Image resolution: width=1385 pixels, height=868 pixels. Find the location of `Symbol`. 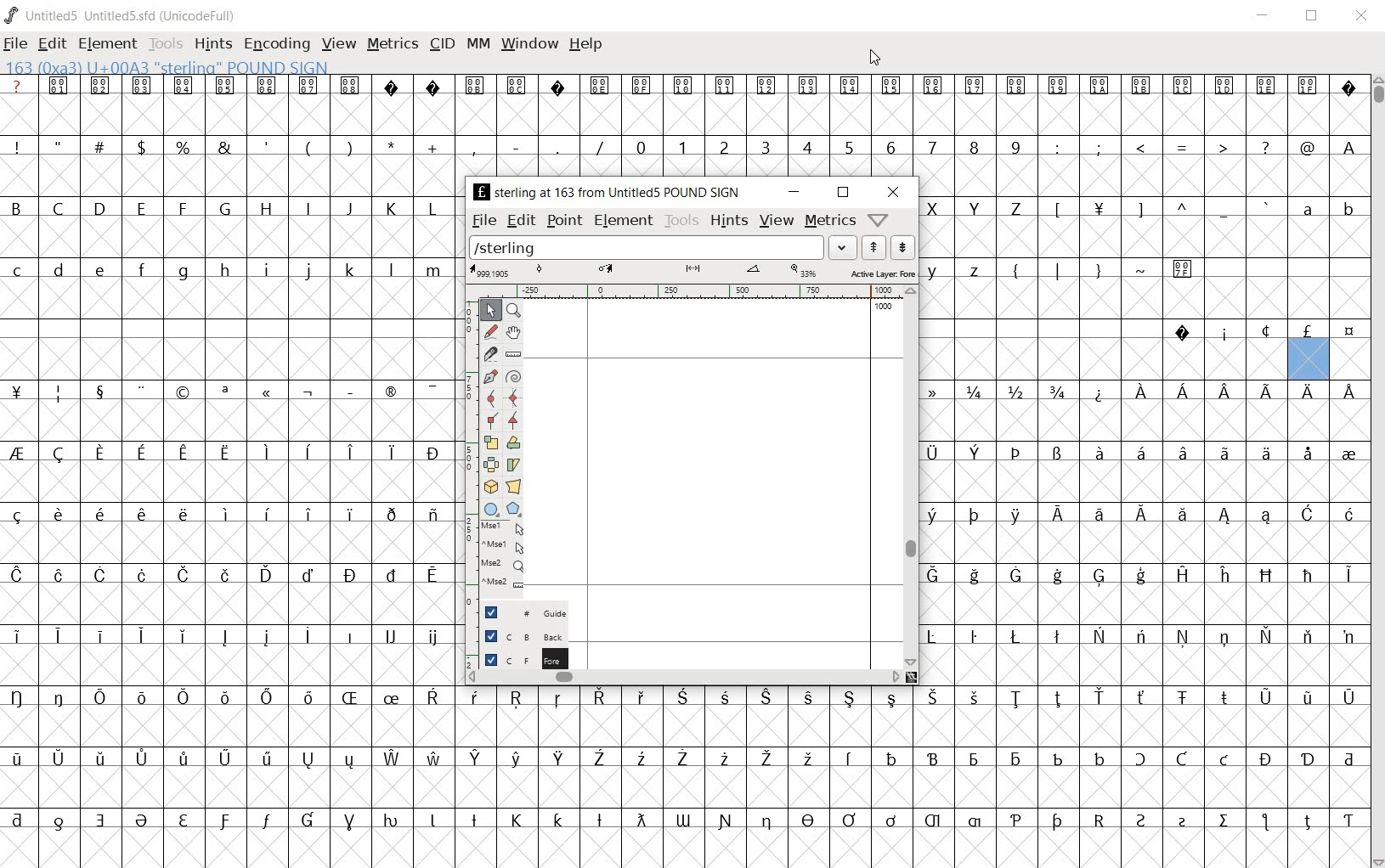

Symbol is located at coordinates (181, 759).